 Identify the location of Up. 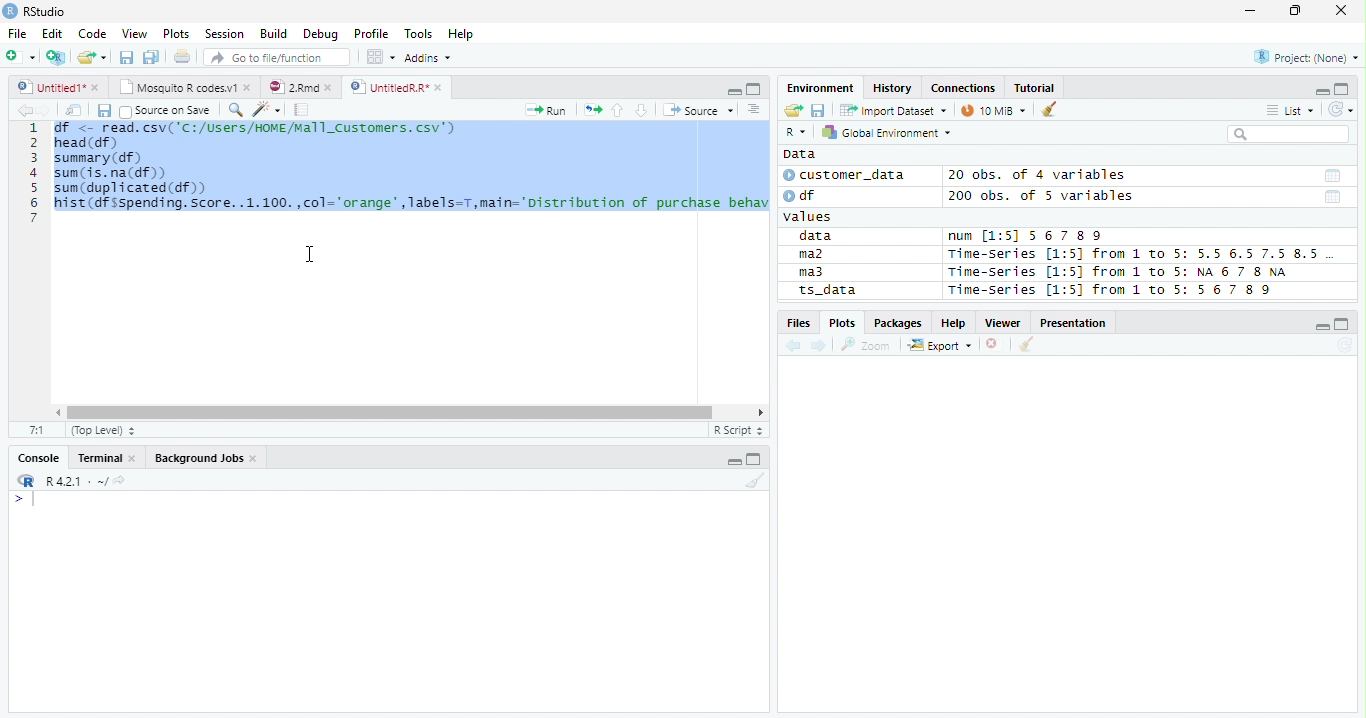
(617, 111).